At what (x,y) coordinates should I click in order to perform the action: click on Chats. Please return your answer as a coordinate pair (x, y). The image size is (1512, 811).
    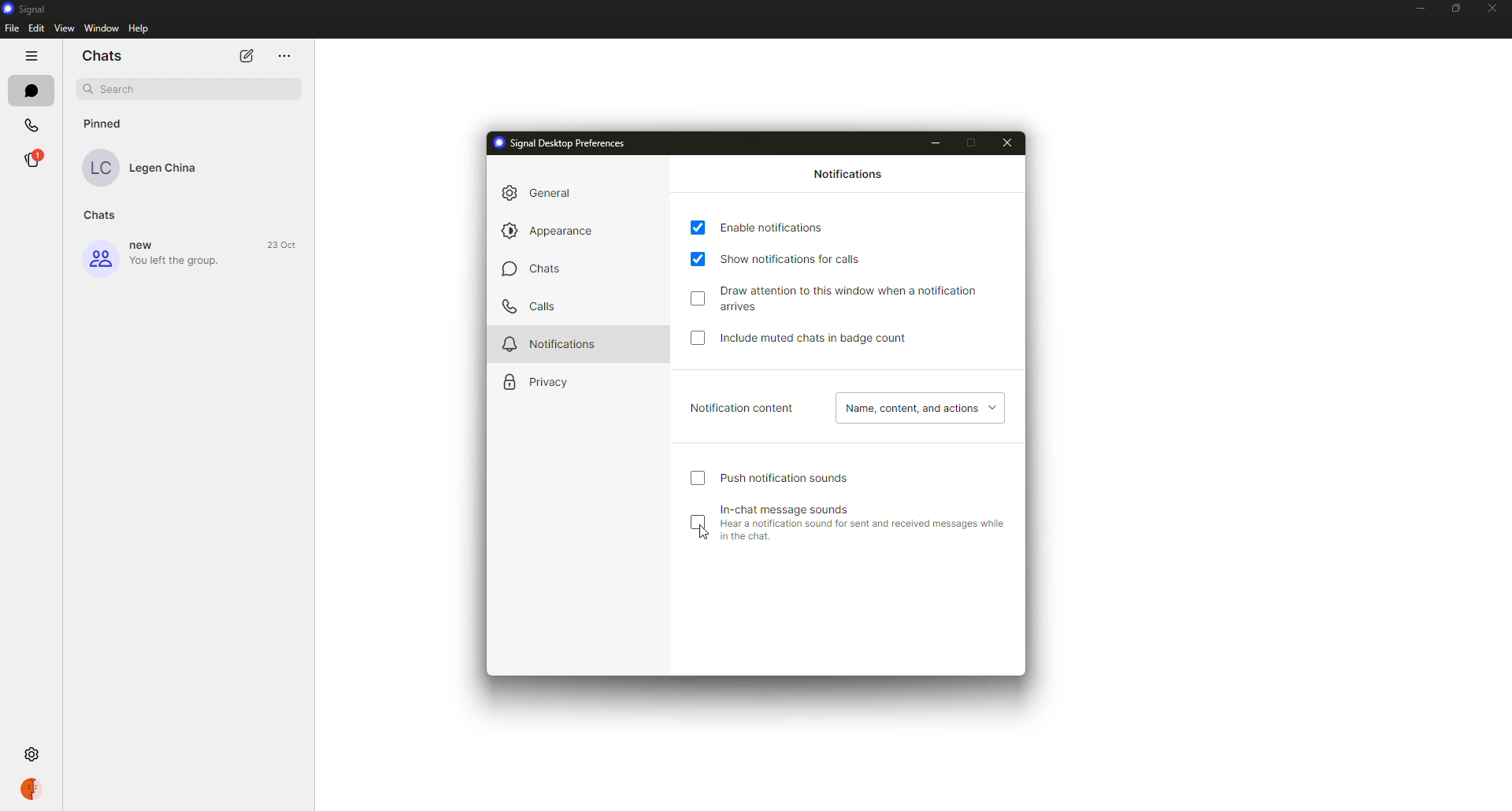
    Looking at the image, I should click on (100, 55).